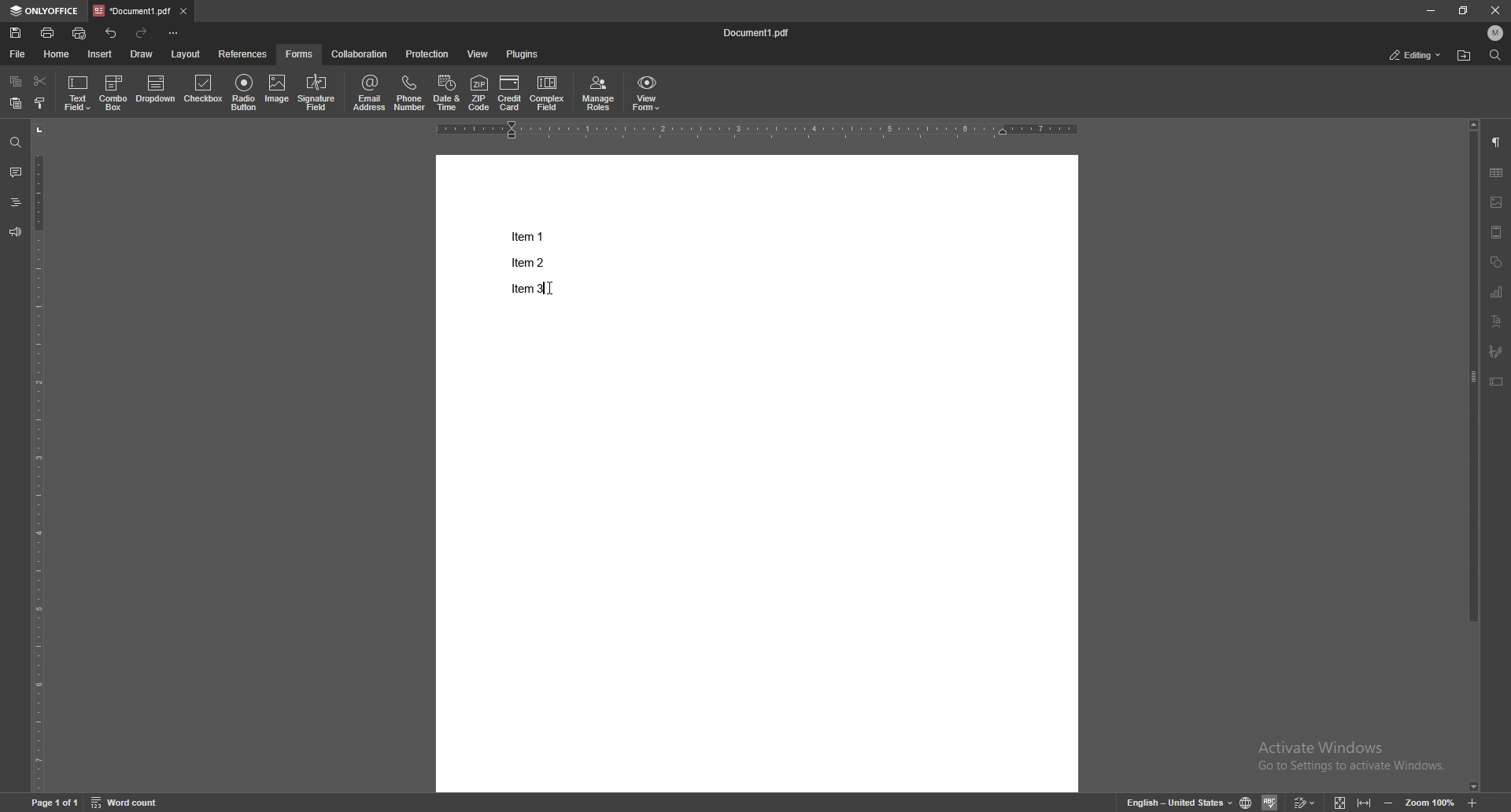 The width and height of the screenshot is (1511, 812). Describe the element at coordinates (1498, 262) in the screenshot. I see `shapes` at that location.